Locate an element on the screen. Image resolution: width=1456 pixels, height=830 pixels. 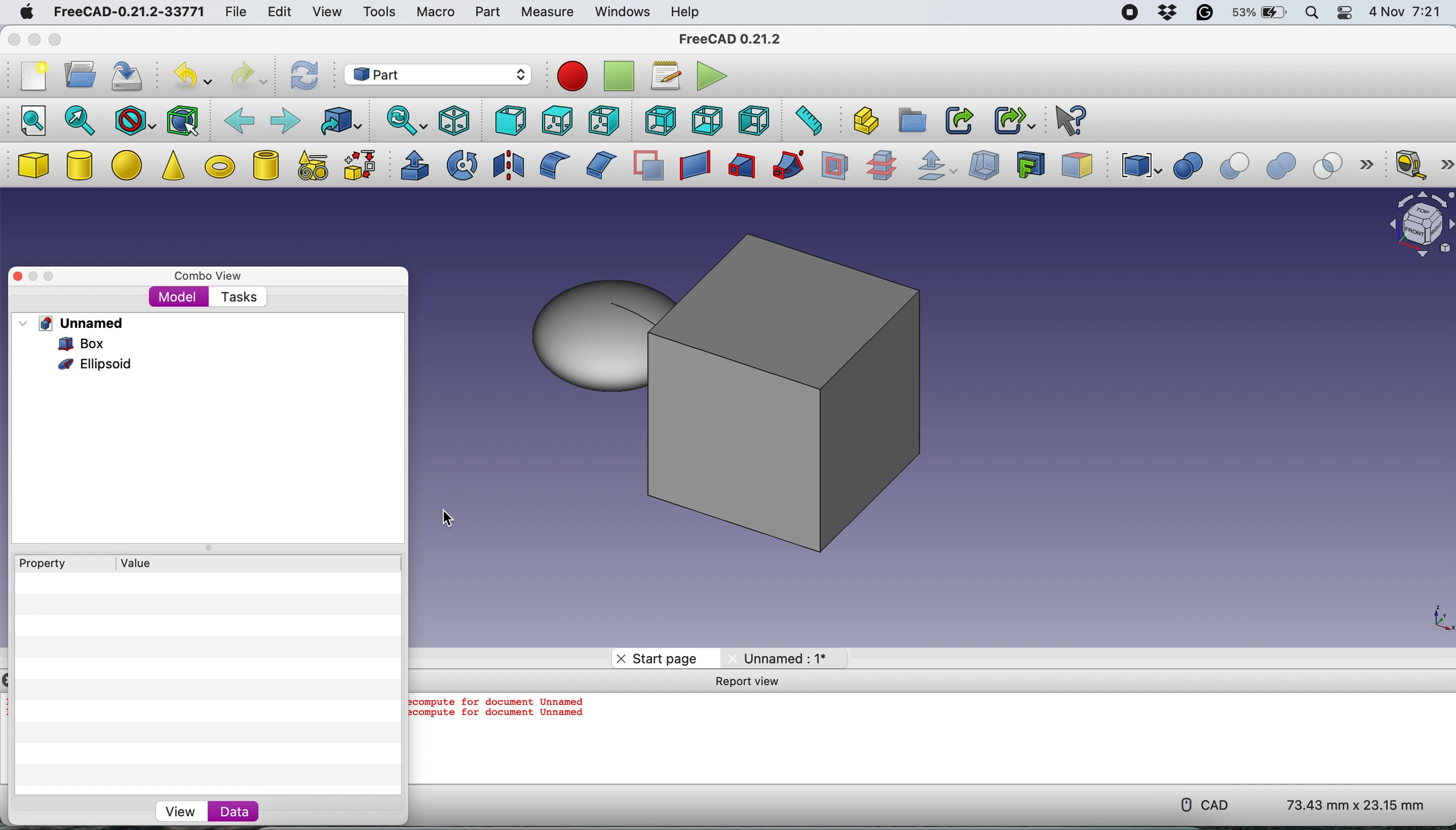
ellipse is located at coordinates (129, 164).